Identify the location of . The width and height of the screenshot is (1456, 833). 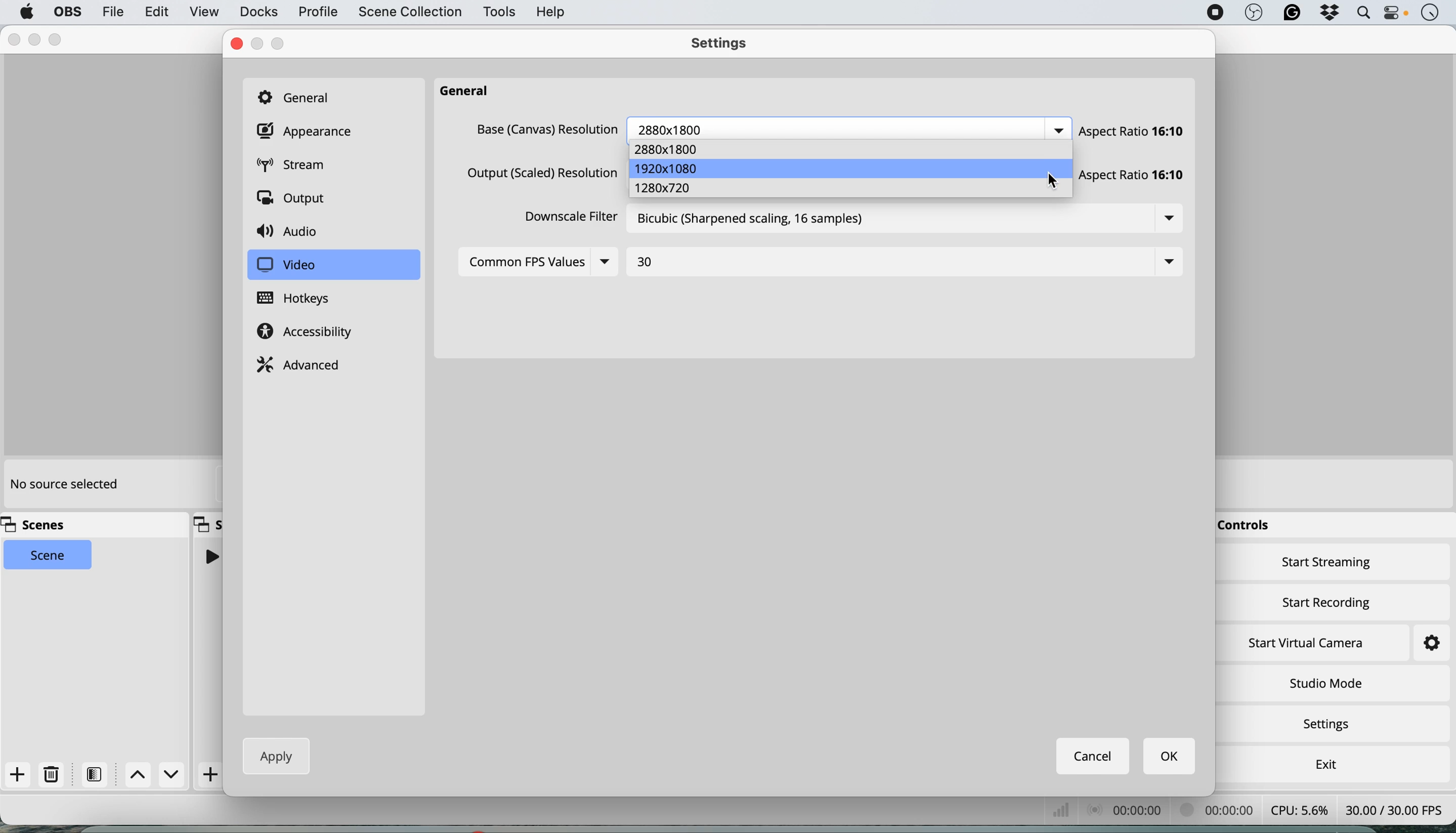
(545, 129).